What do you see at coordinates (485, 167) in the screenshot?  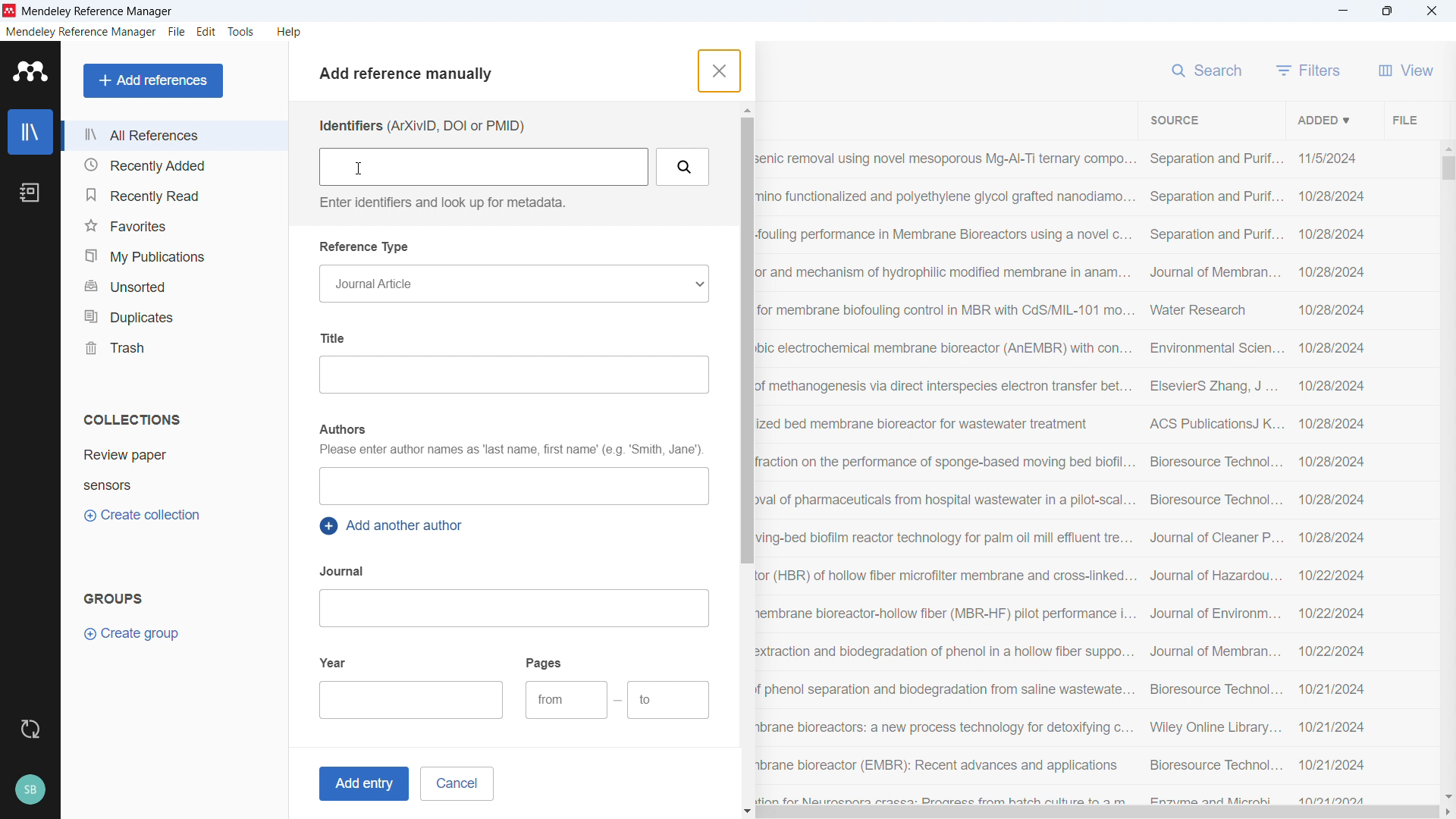 I see `Add Identifiers ` at bounding box center [485, 167].